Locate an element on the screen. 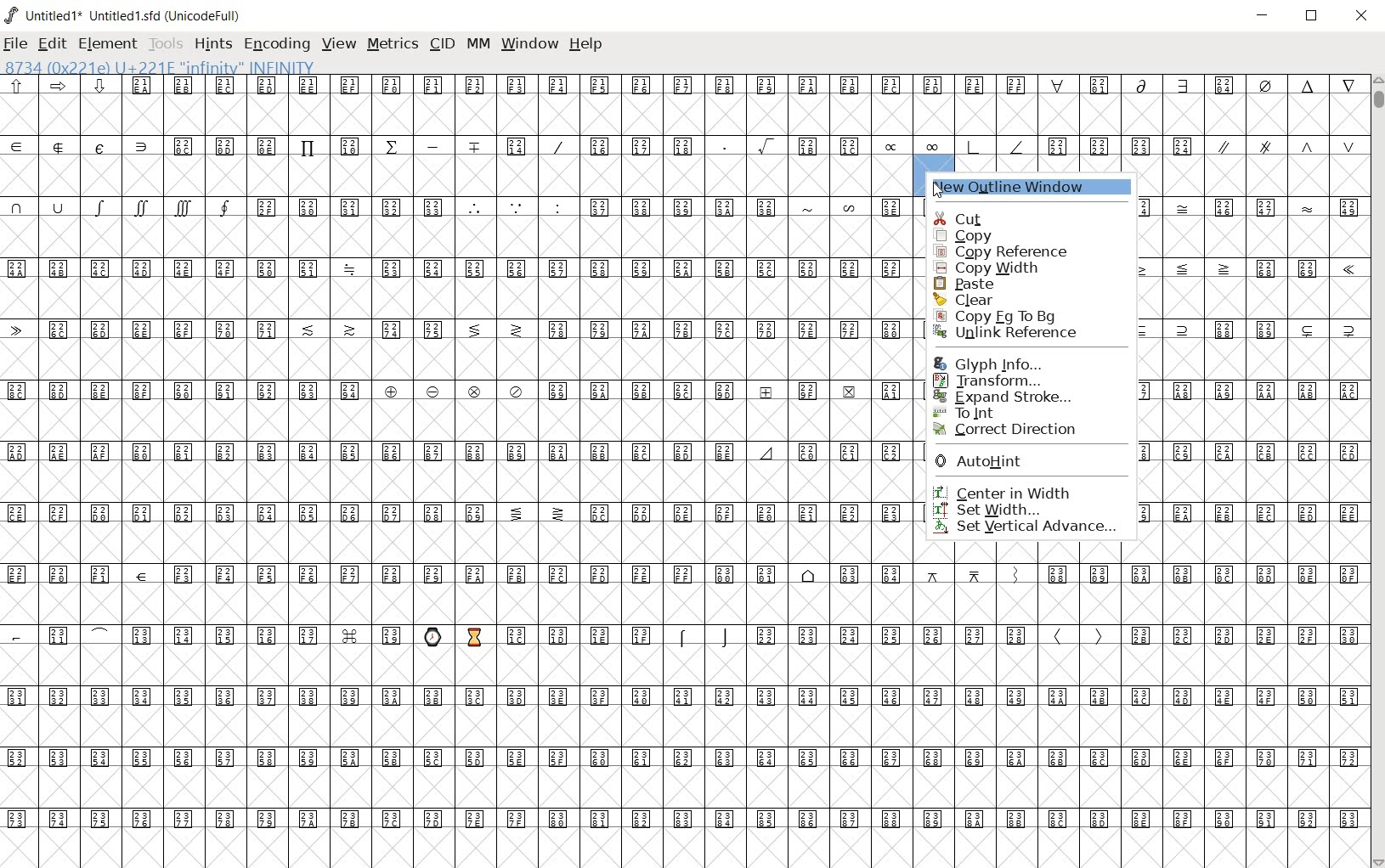 Image resolution: width=1385 pixels, height=868 pixels. minimize is located at coordinates (1263, 16).